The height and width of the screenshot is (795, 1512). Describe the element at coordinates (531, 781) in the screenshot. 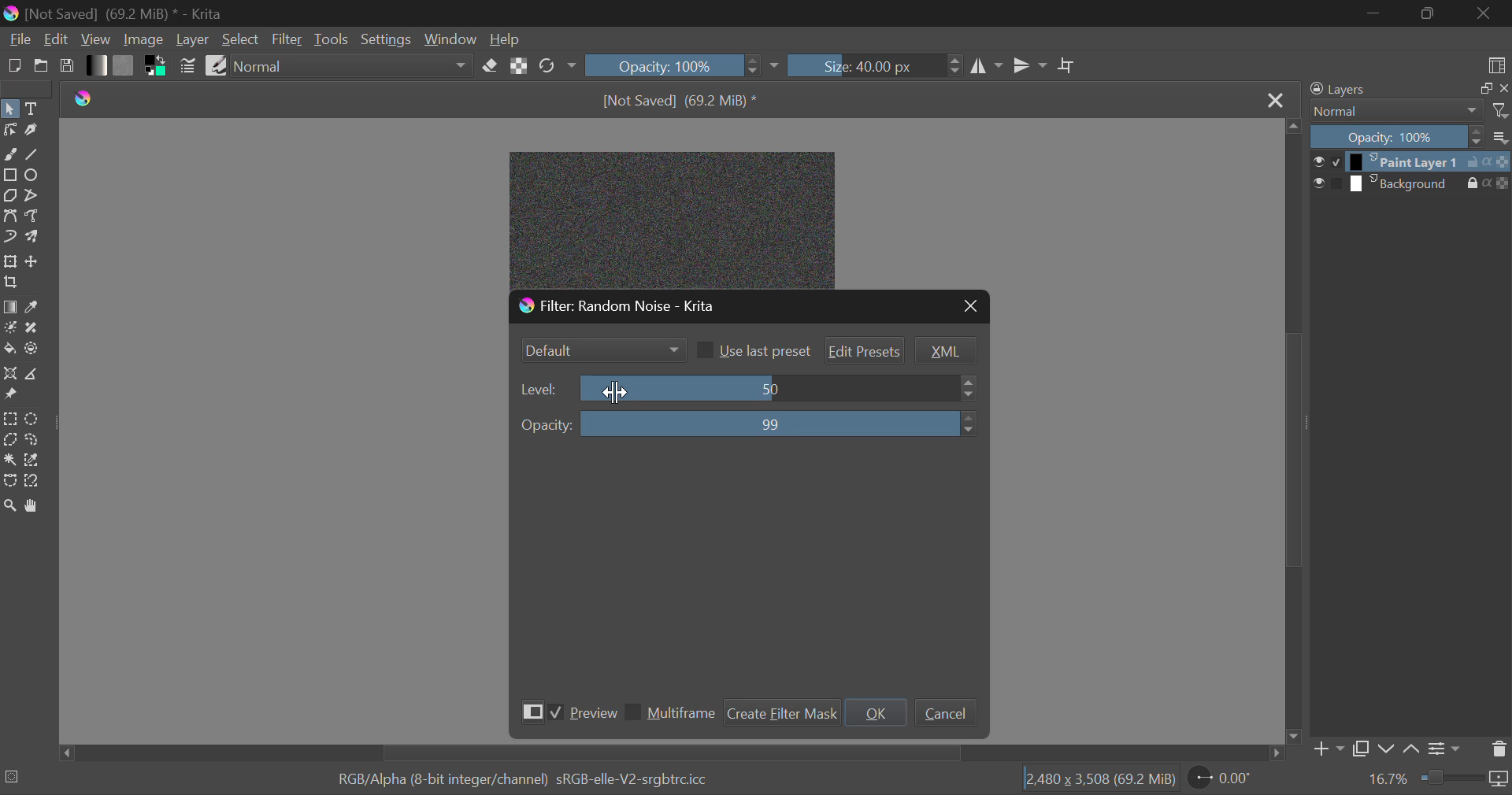

I see `rgb/alpha (8-bit integer/channel) srgb-elle-v2-srgbtrc.icc` at that location.